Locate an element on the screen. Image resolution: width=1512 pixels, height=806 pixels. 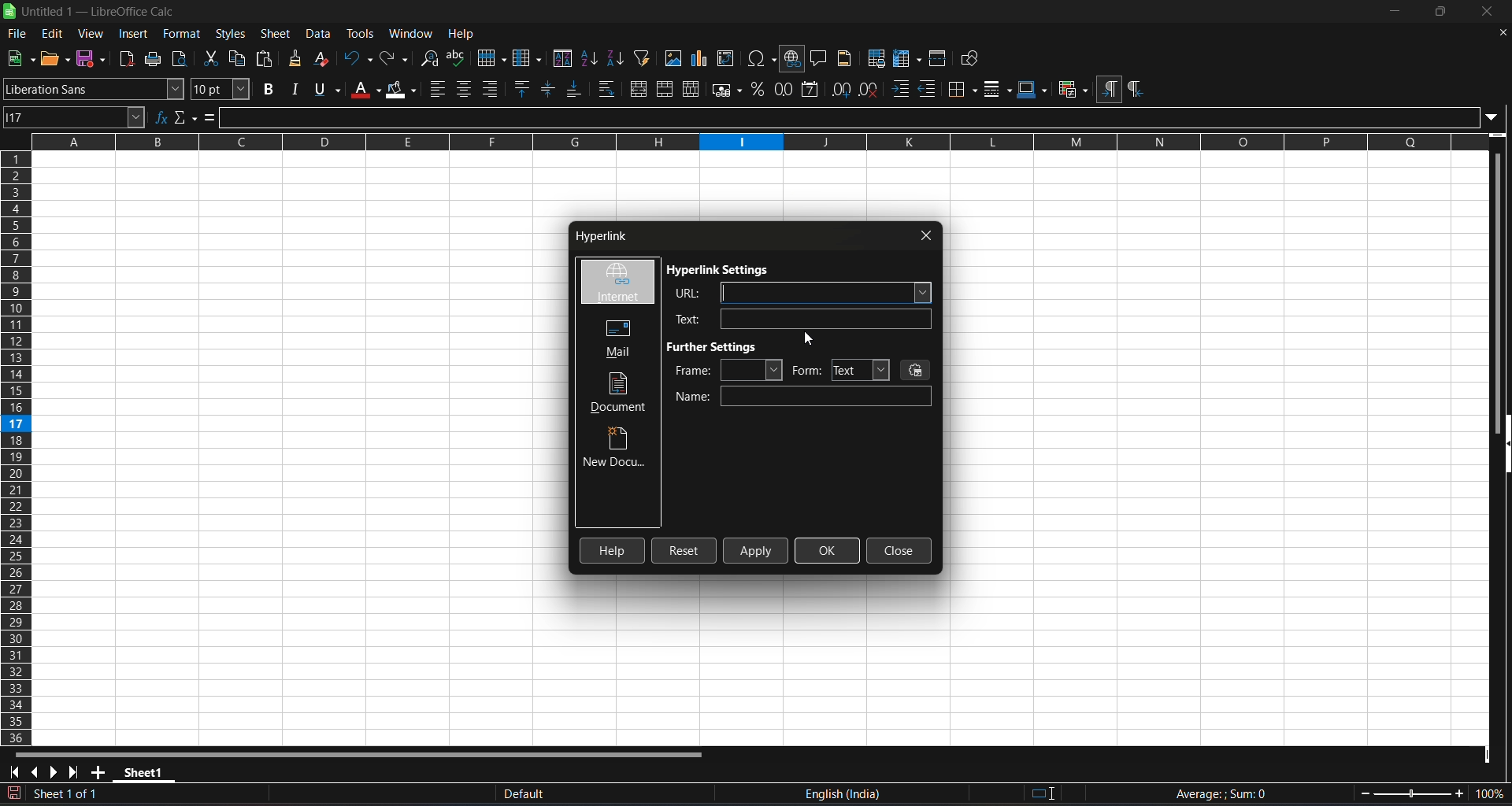
maximize is located at coordinates (1439, 12).